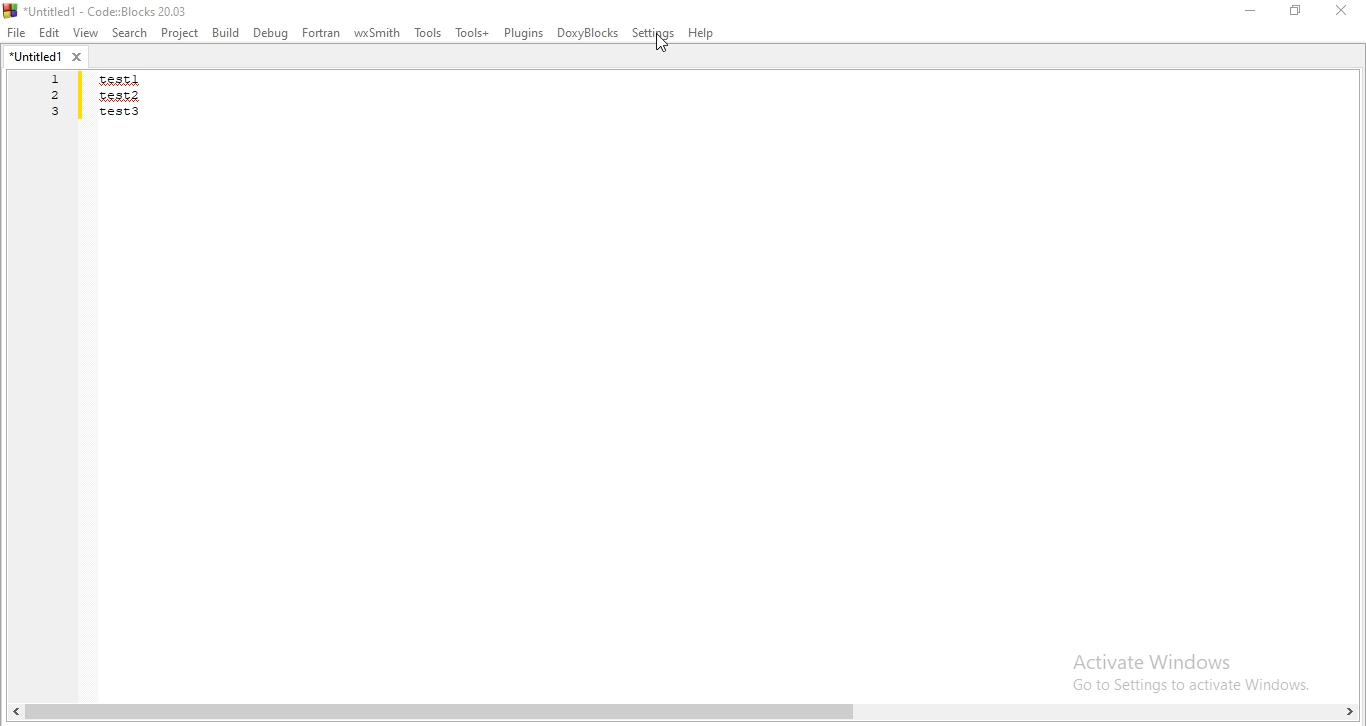  I want to click on cursor Settings, so click(664, 46).